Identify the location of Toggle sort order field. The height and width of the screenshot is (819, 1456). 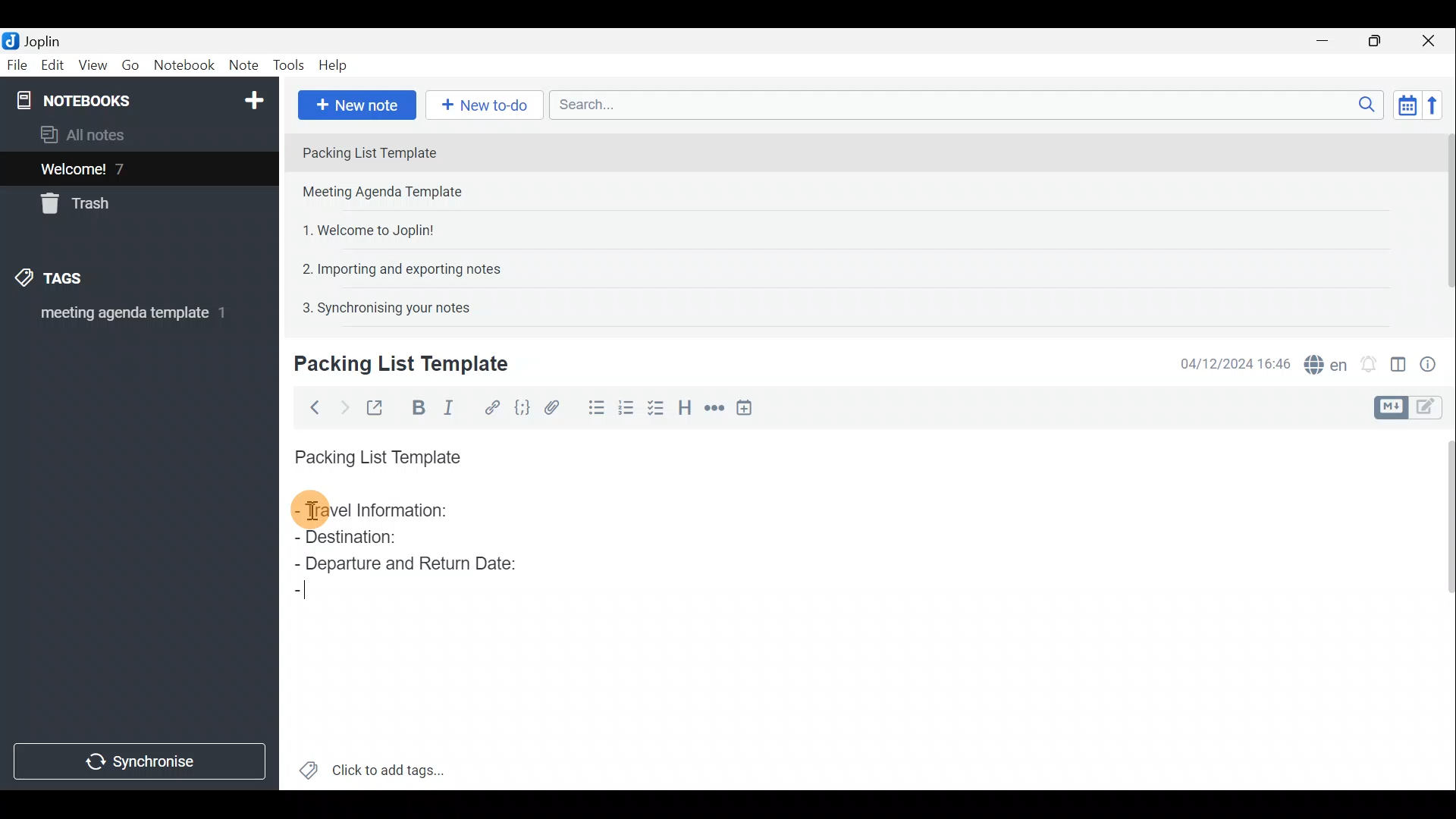
(1402, 105).